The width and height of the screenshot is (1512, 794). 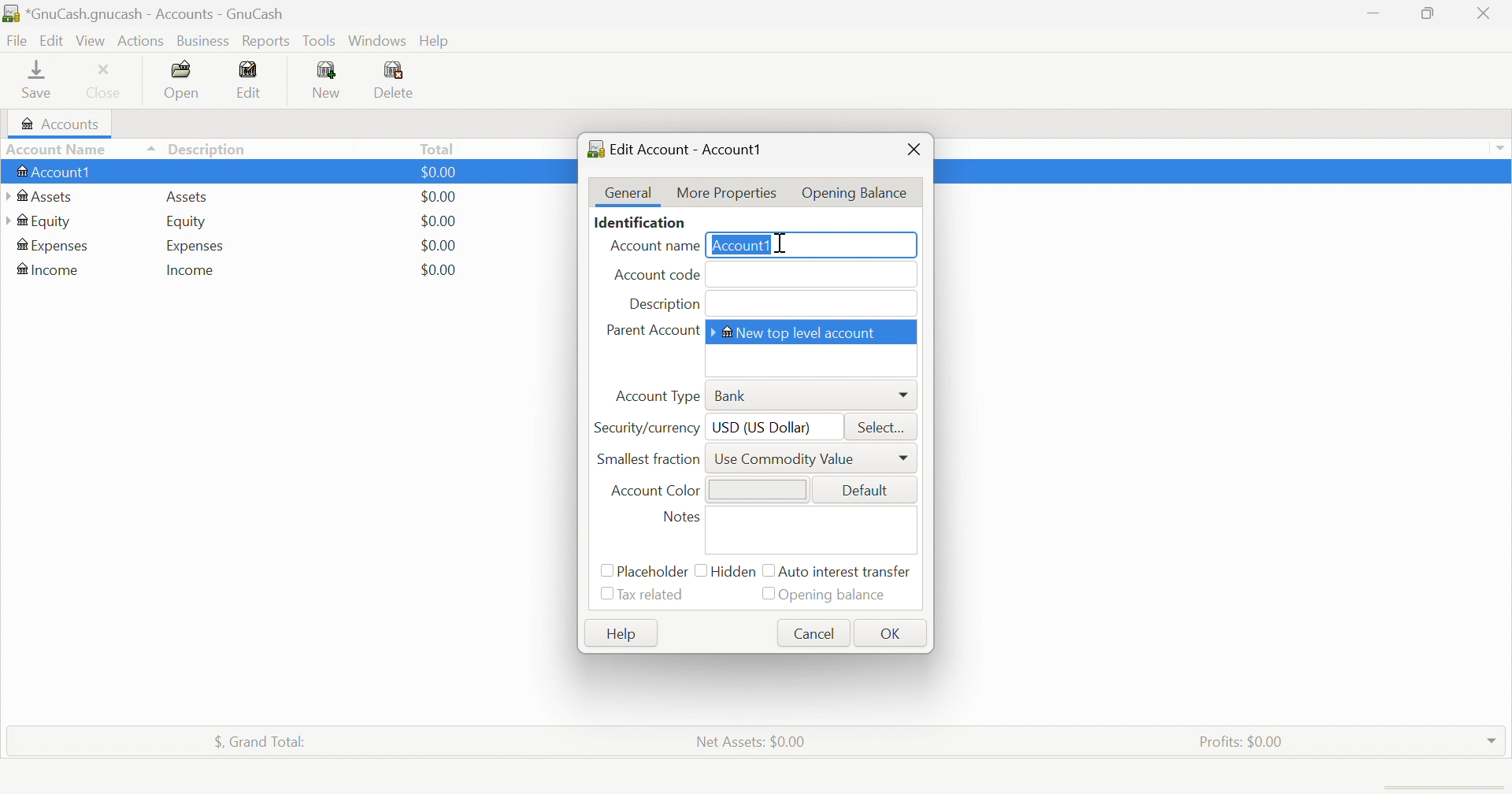 What do you see at coordinates (665, 305) in the screenshot?
I see `Description` at bounding box center [665, 305].